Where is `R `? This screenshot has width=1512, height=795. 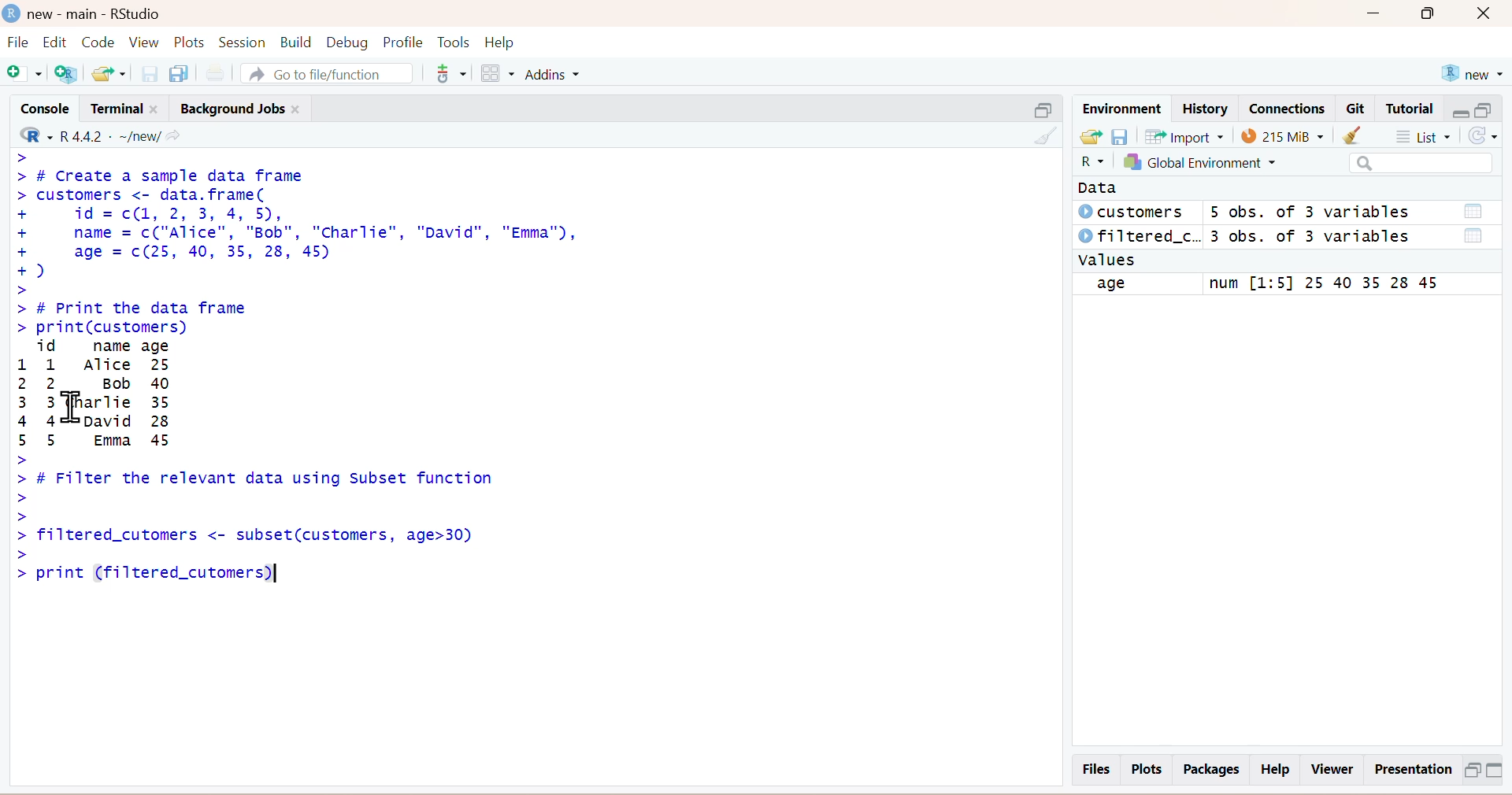 R  is located at coordinates (1086, 164).